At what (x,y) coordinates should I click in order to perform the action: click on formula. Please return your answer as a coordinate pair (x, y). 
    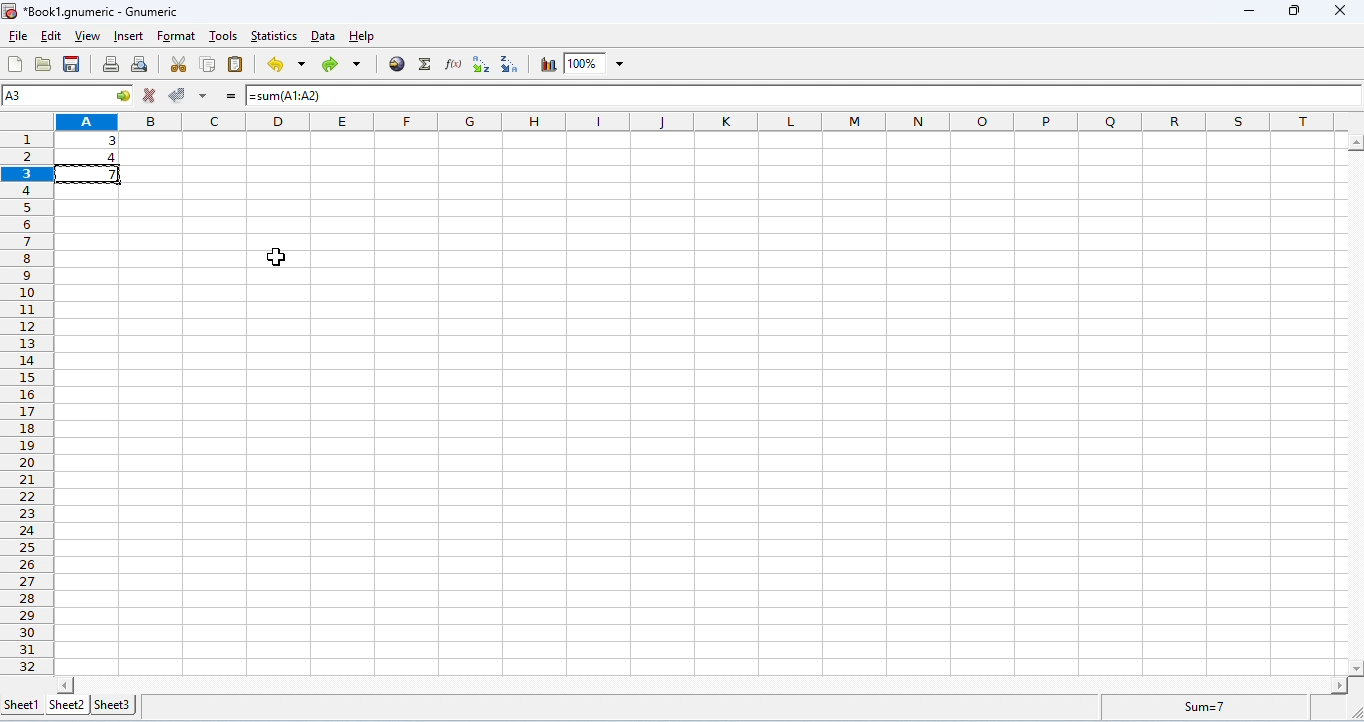
    Looking at the image, I should click on (1196, 707).